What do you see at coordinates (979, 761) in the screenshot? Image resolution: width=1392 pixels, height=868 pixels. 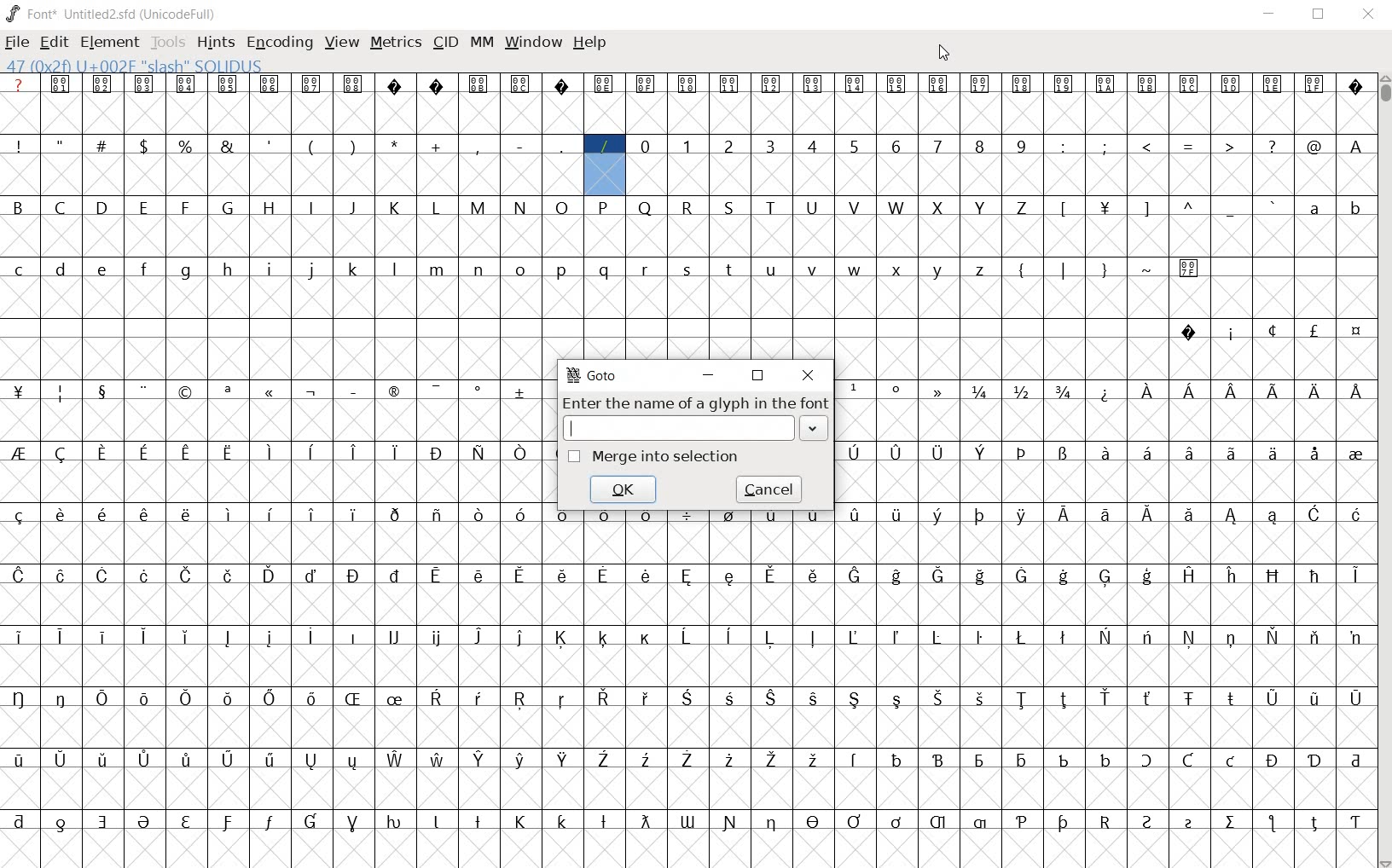 I see `glyph` at bounding box center [979, 761].